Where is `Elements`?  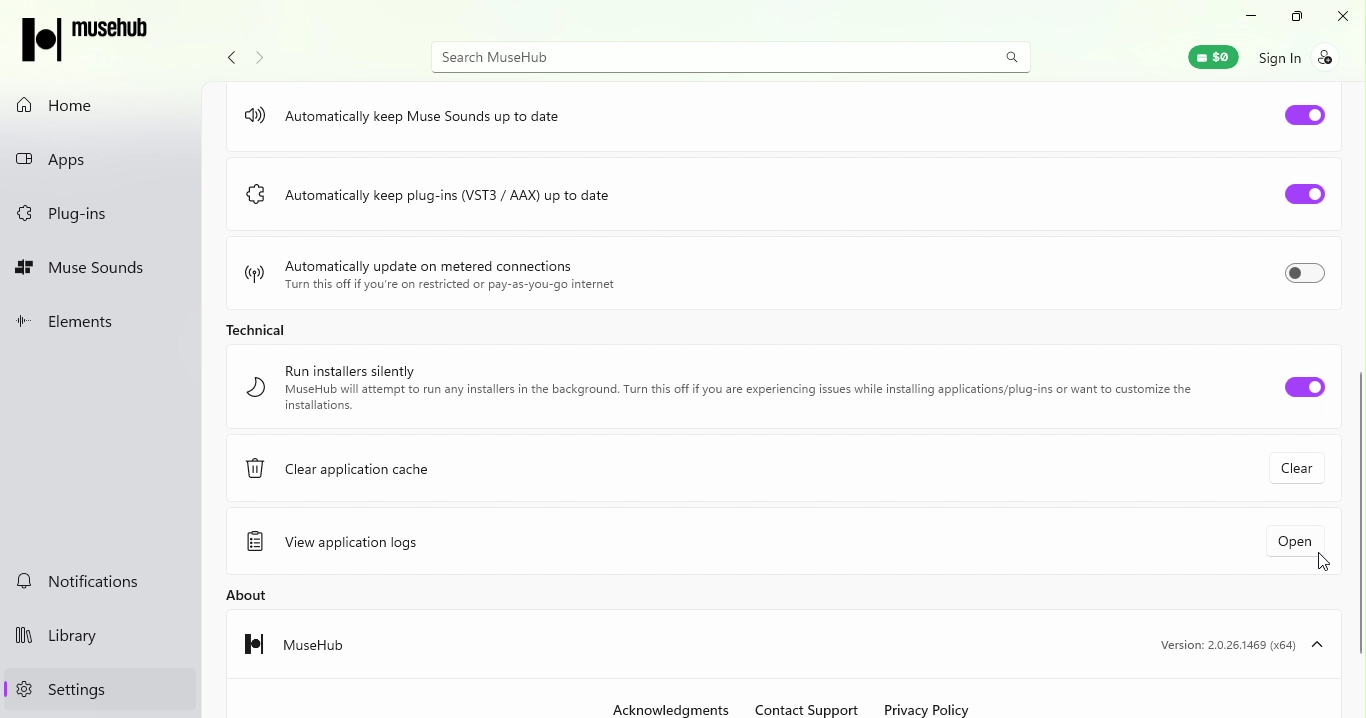
Elements is located at coordinates (81, 322).